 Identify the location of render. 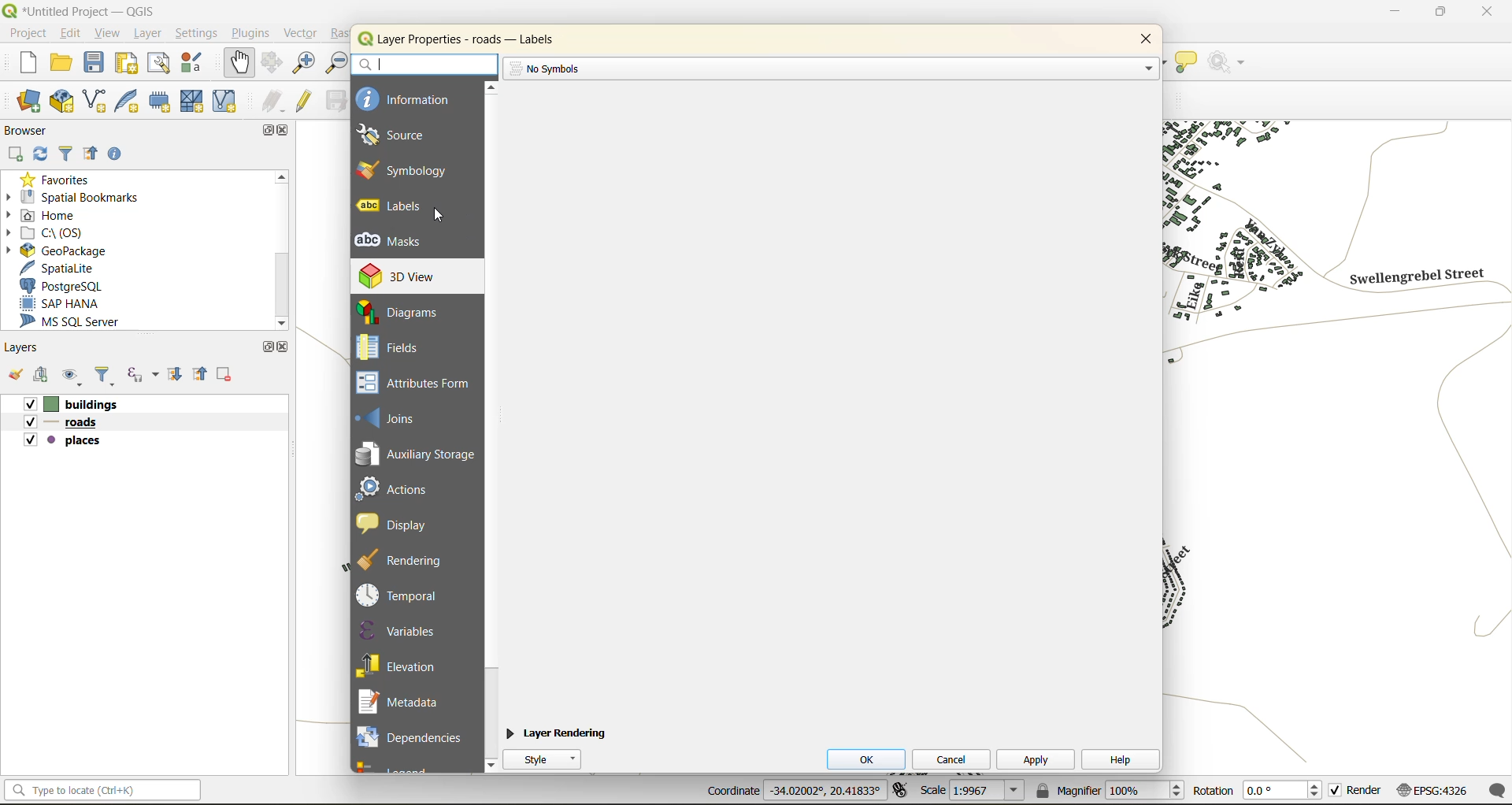
(1354, 789).